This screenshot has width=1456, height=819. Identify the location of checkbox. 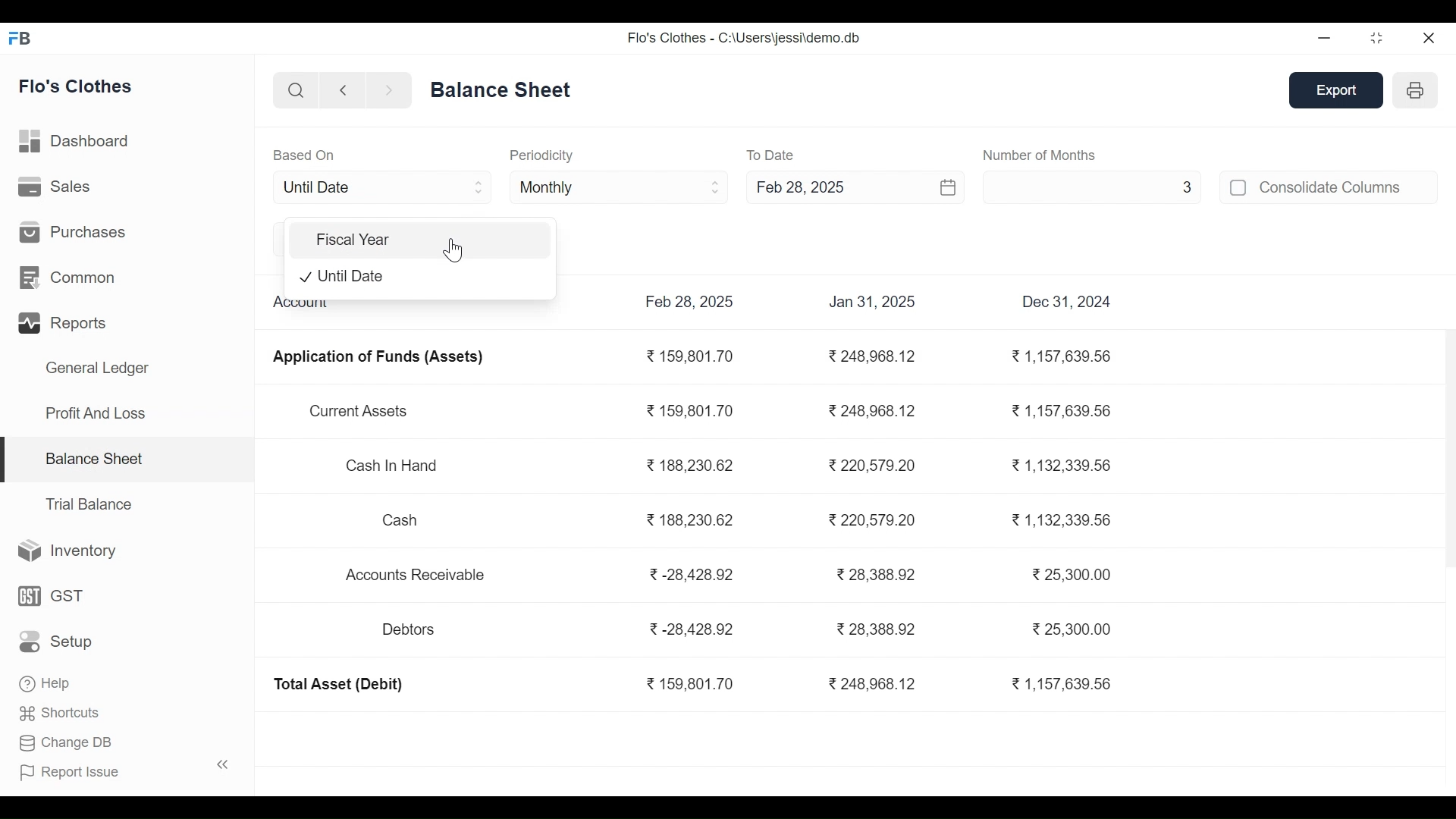
(1239, 187).